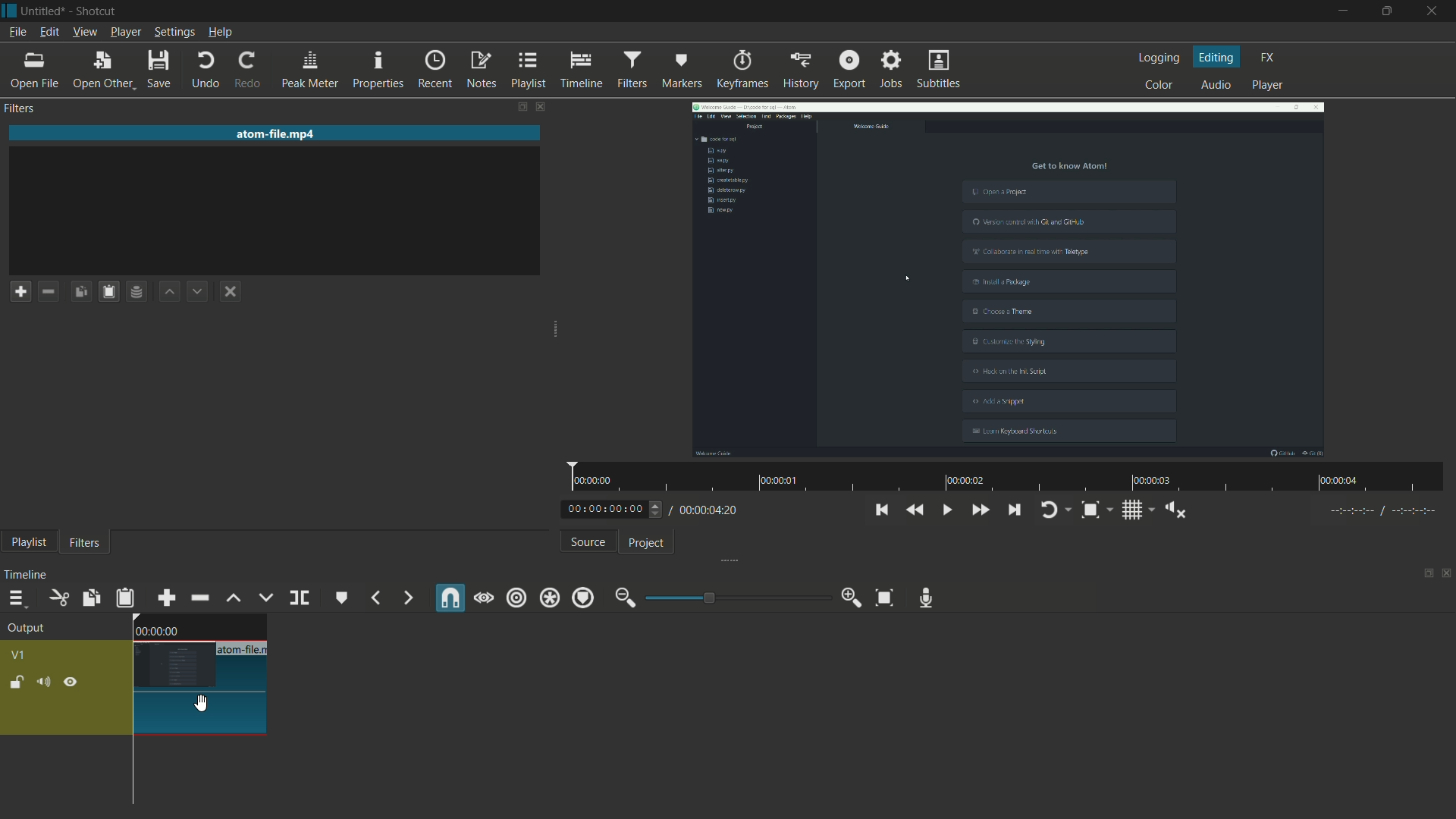 The image size is (1456, 819). I want to click on file name, so click(43, 11).